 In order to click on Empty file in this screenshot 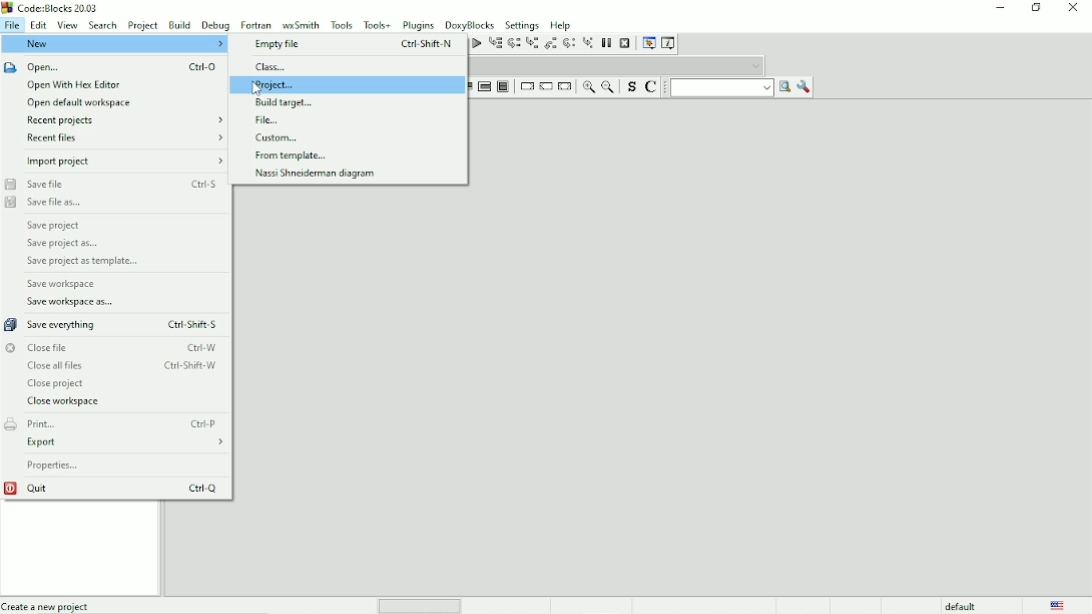, I will do `click(355, 45)`.